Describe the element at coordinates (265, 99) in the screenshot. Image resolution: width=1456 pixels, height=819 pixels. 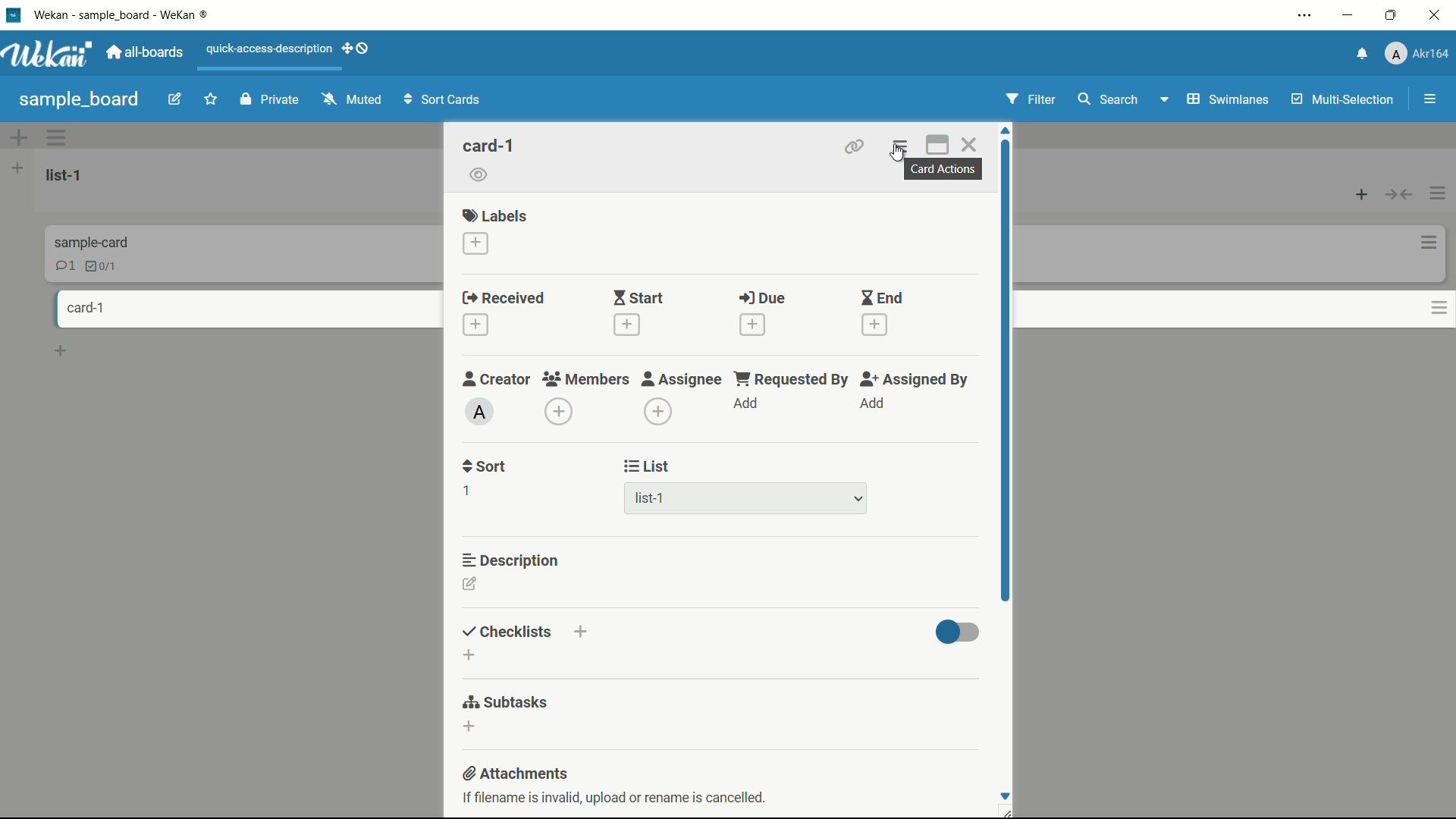
I see `private` at that location.